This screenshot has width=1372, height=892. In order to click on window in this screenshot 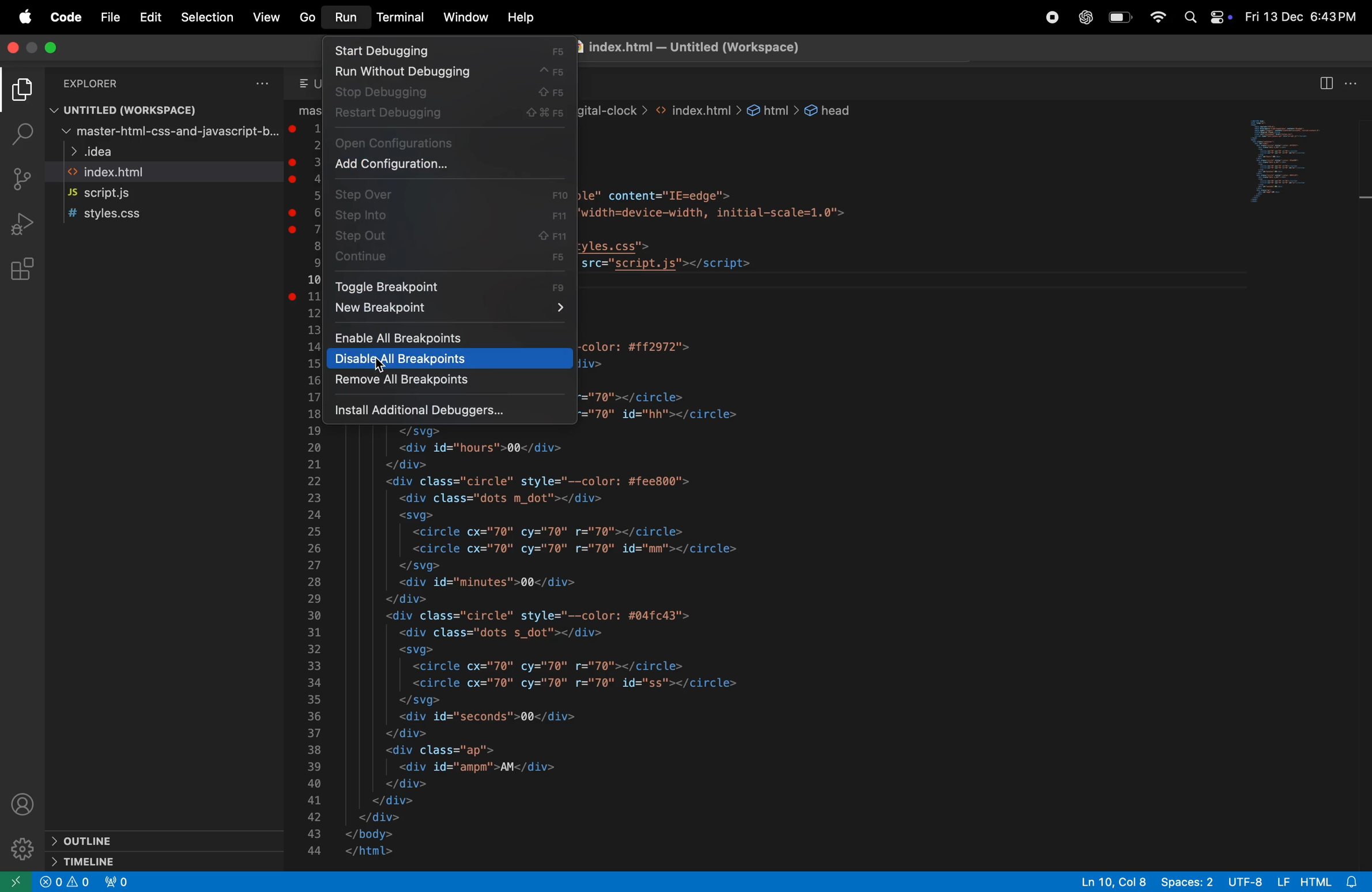, I will do `click(466, 17)`.